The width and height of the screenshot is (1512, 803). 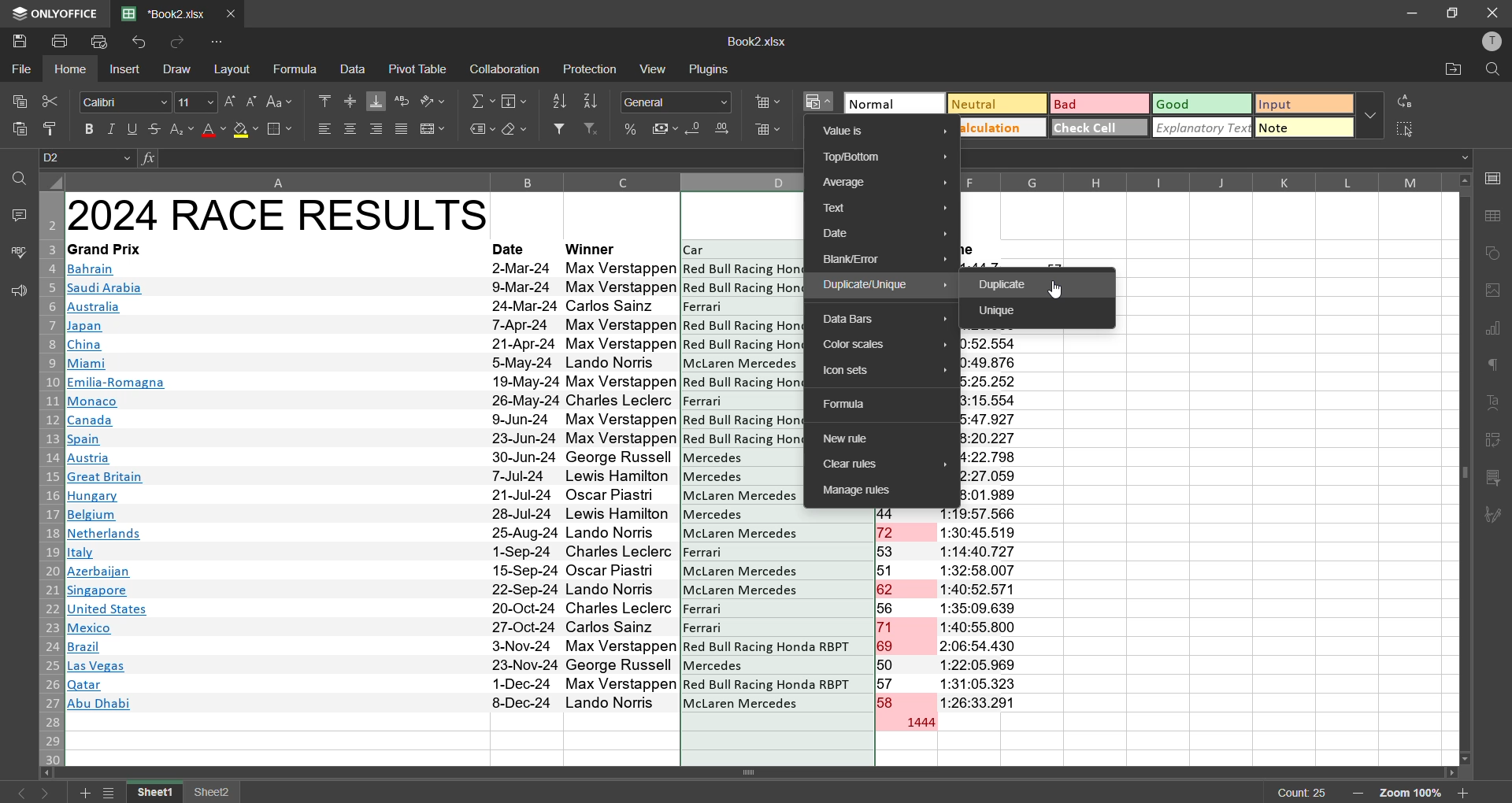 What do you see at coordinates (1494, 479) in the screenshot?
I see `slicer` at bounding box center [1494, 479].